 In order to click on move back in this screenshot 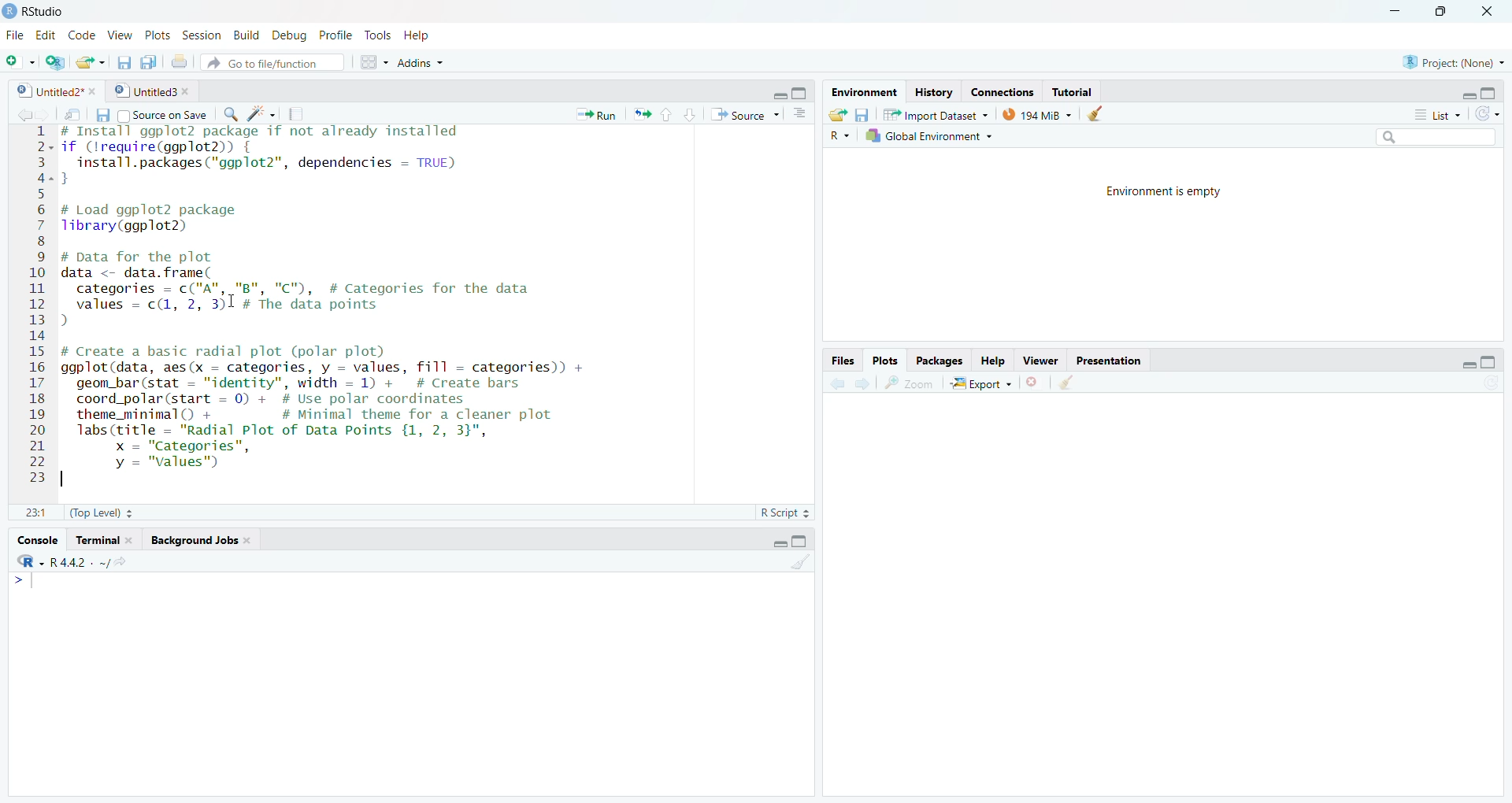, I will do `click(839, 383)`.